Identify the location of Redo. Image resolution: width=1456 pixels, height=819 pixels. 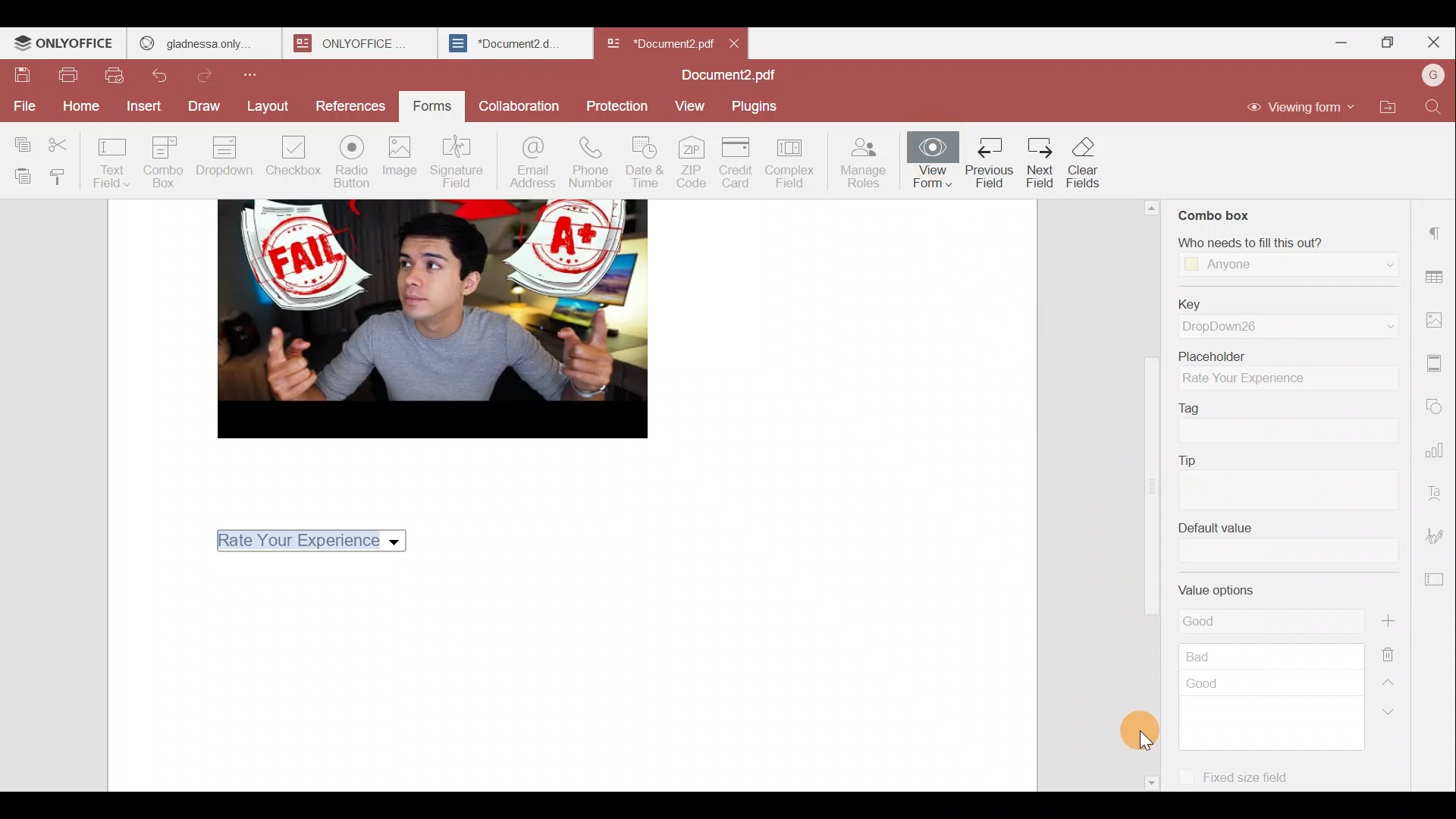
(212, 76).